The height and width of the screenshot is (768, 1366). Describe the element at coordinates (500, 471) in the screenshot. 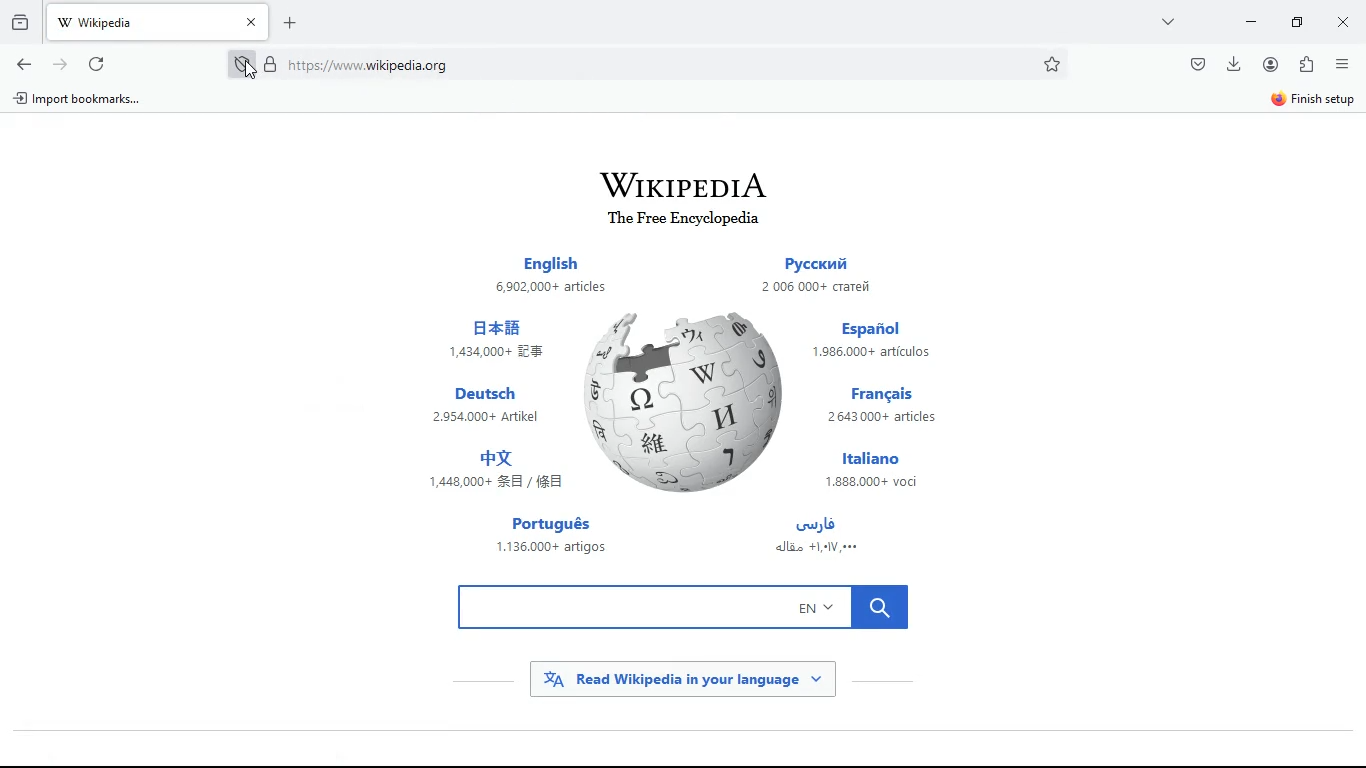

I see `japanese` at that location.